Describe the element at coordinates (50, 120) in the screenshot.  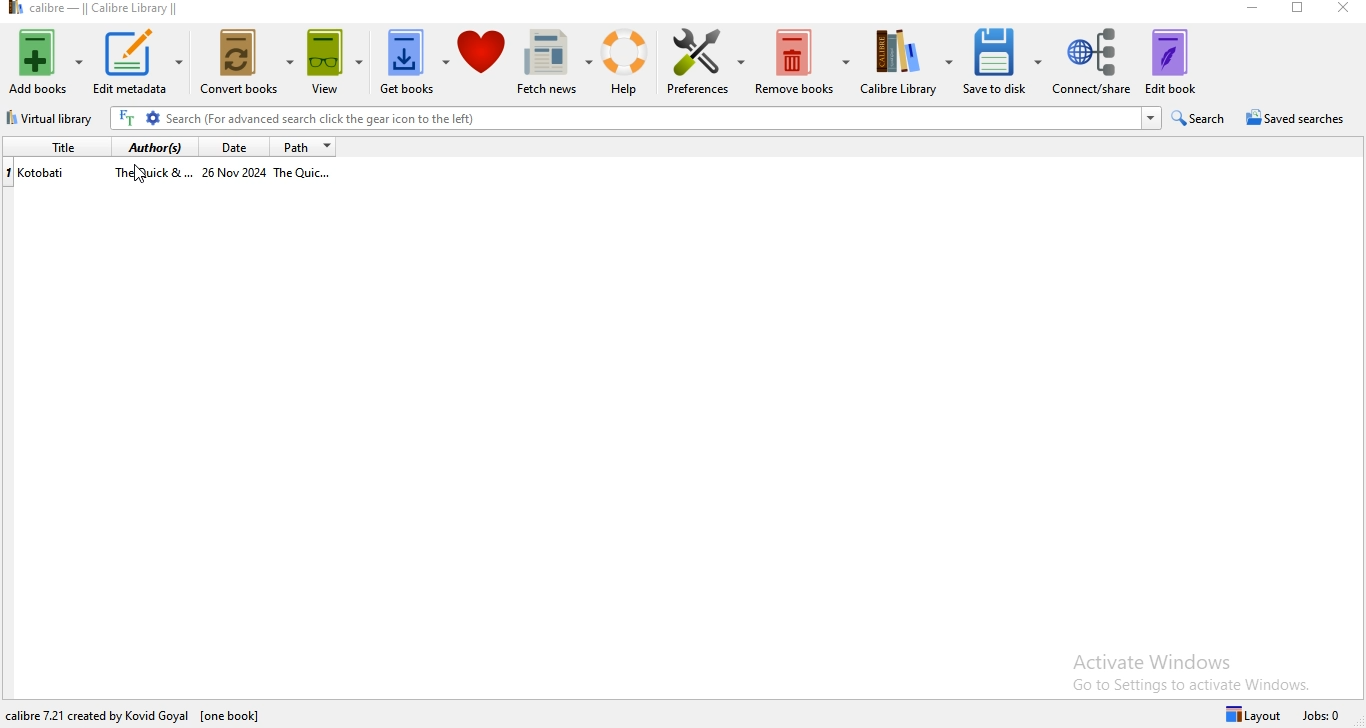
I see `virtual library` at that location.